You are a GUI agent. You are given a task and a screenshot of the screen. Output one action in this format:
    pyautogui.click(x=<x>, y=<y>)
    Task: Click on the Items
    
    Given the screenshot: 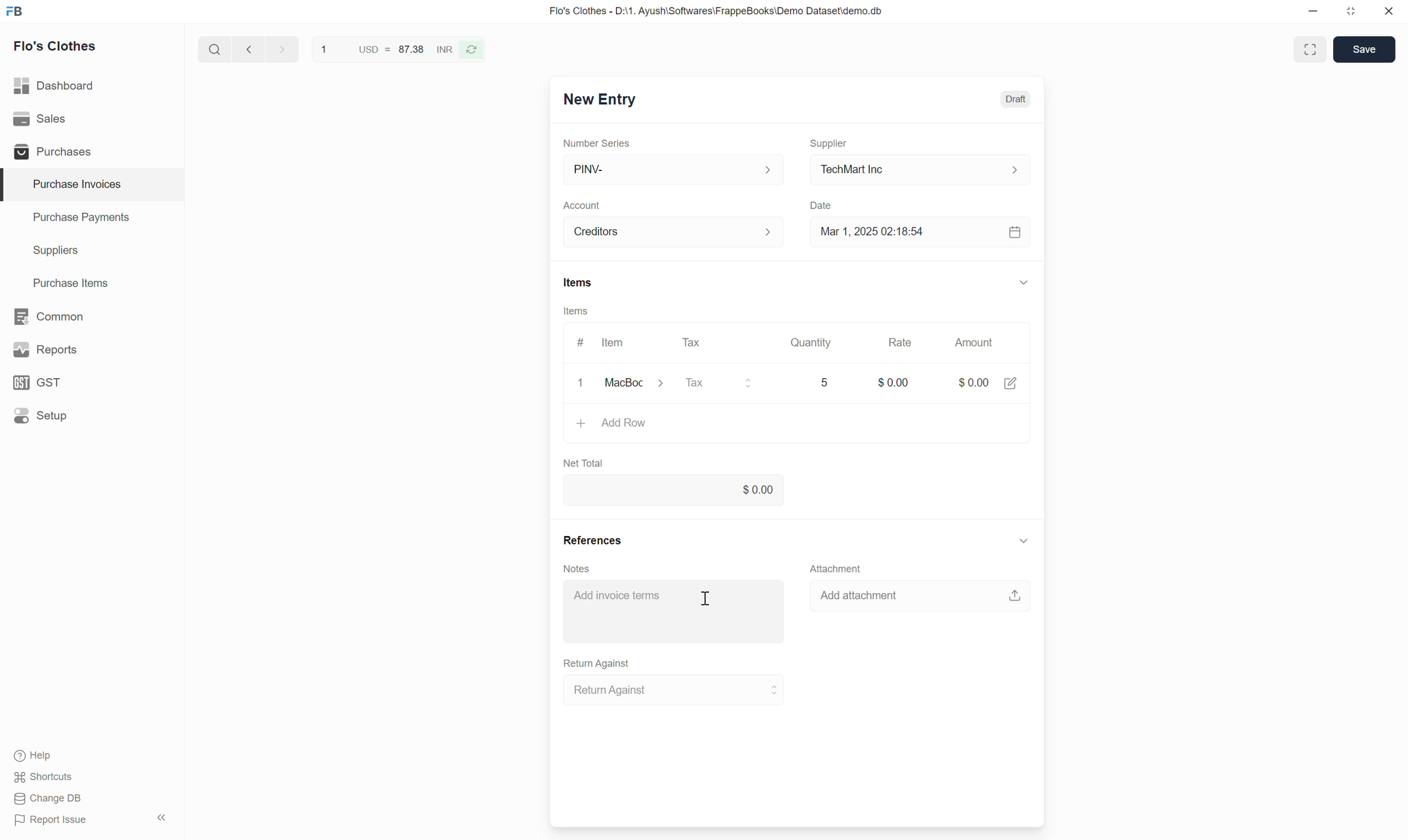 What is the action you would take?
    pyautogui.click(x=576, y=311)
    